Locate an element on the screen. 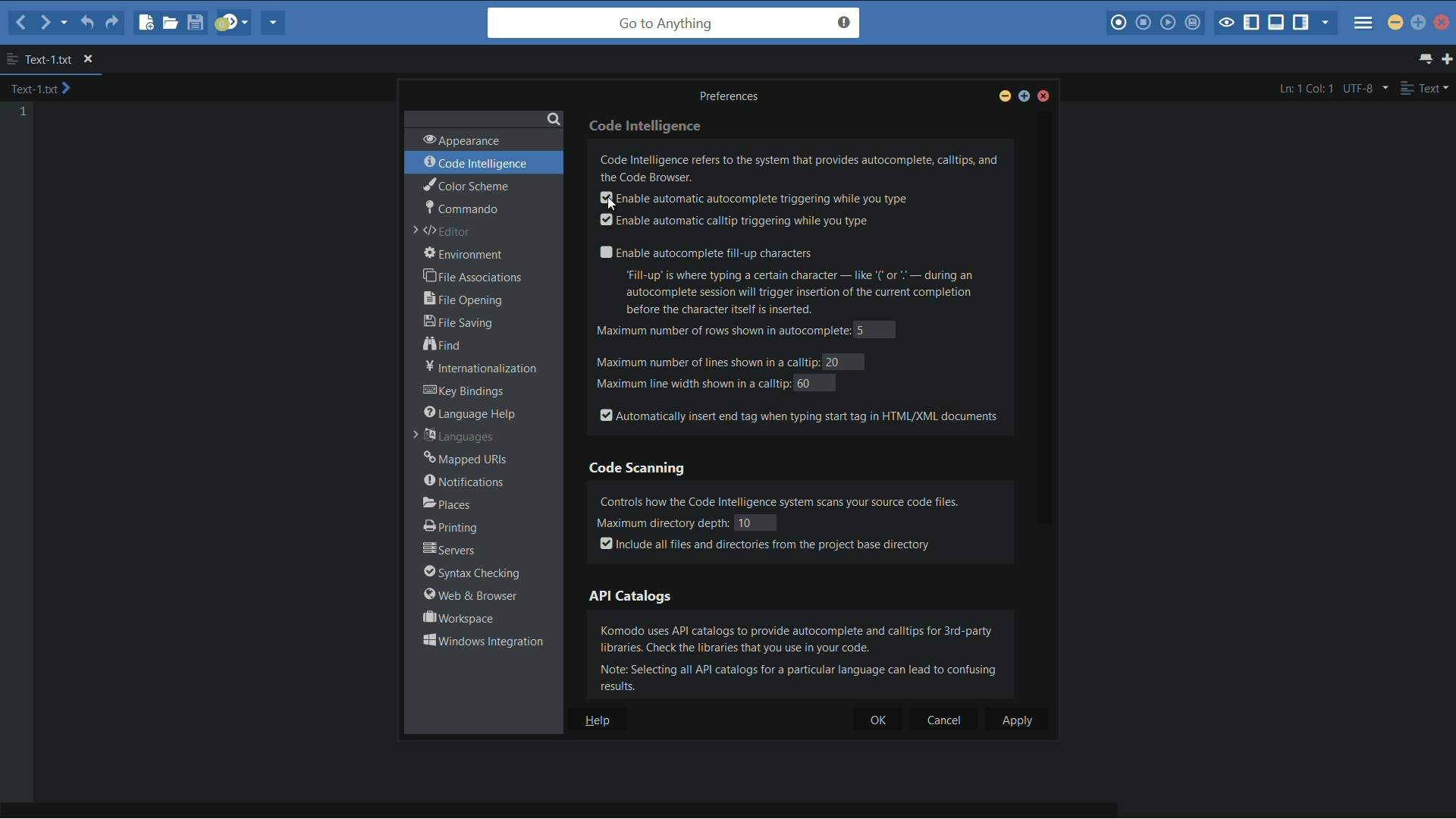 The width and height of the screenshot is (1456, 819). redo is located at coordinates (111, 25).